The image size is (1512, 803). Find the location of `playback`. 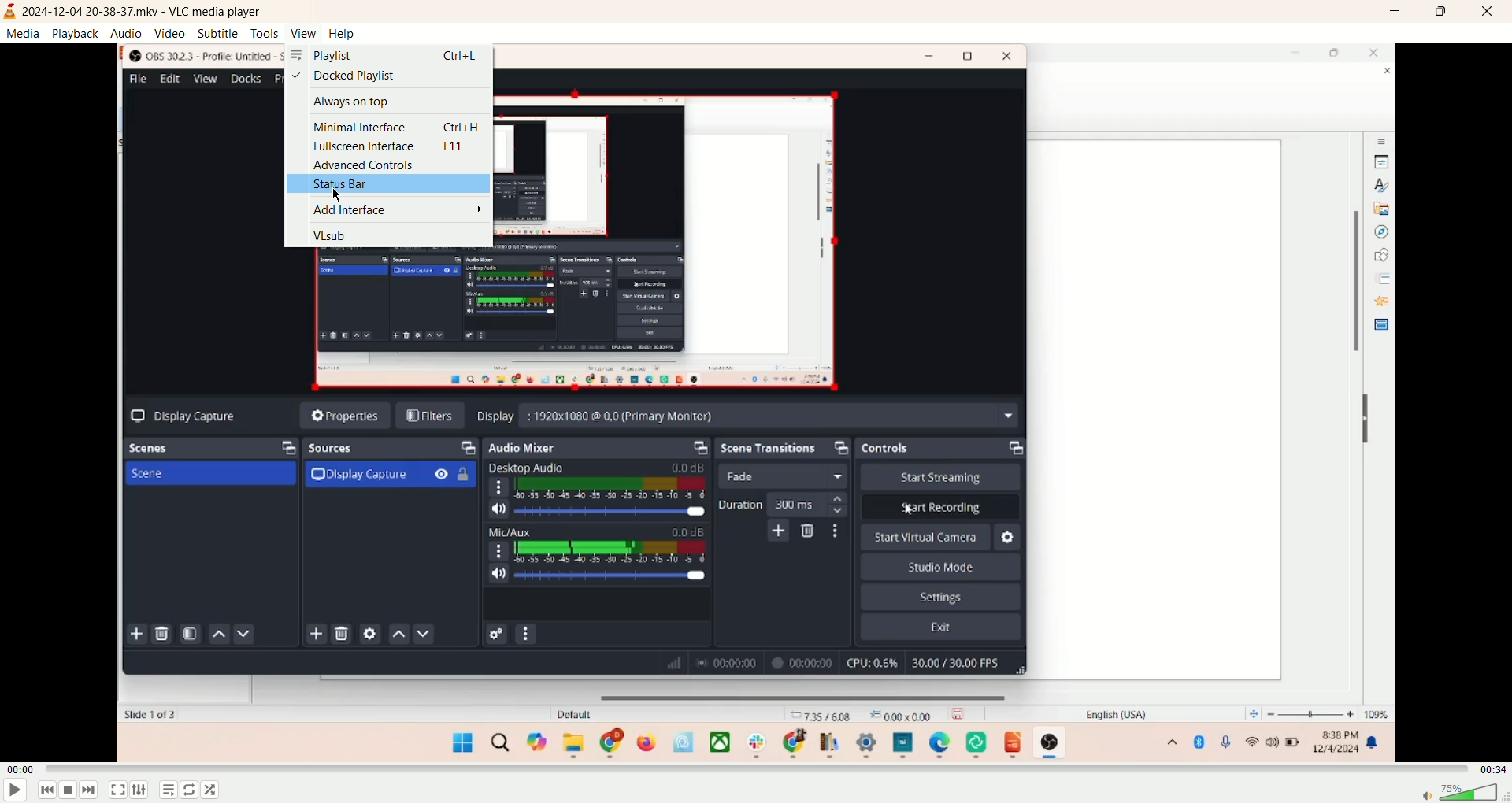

playback is located at coordinates (76, 33).